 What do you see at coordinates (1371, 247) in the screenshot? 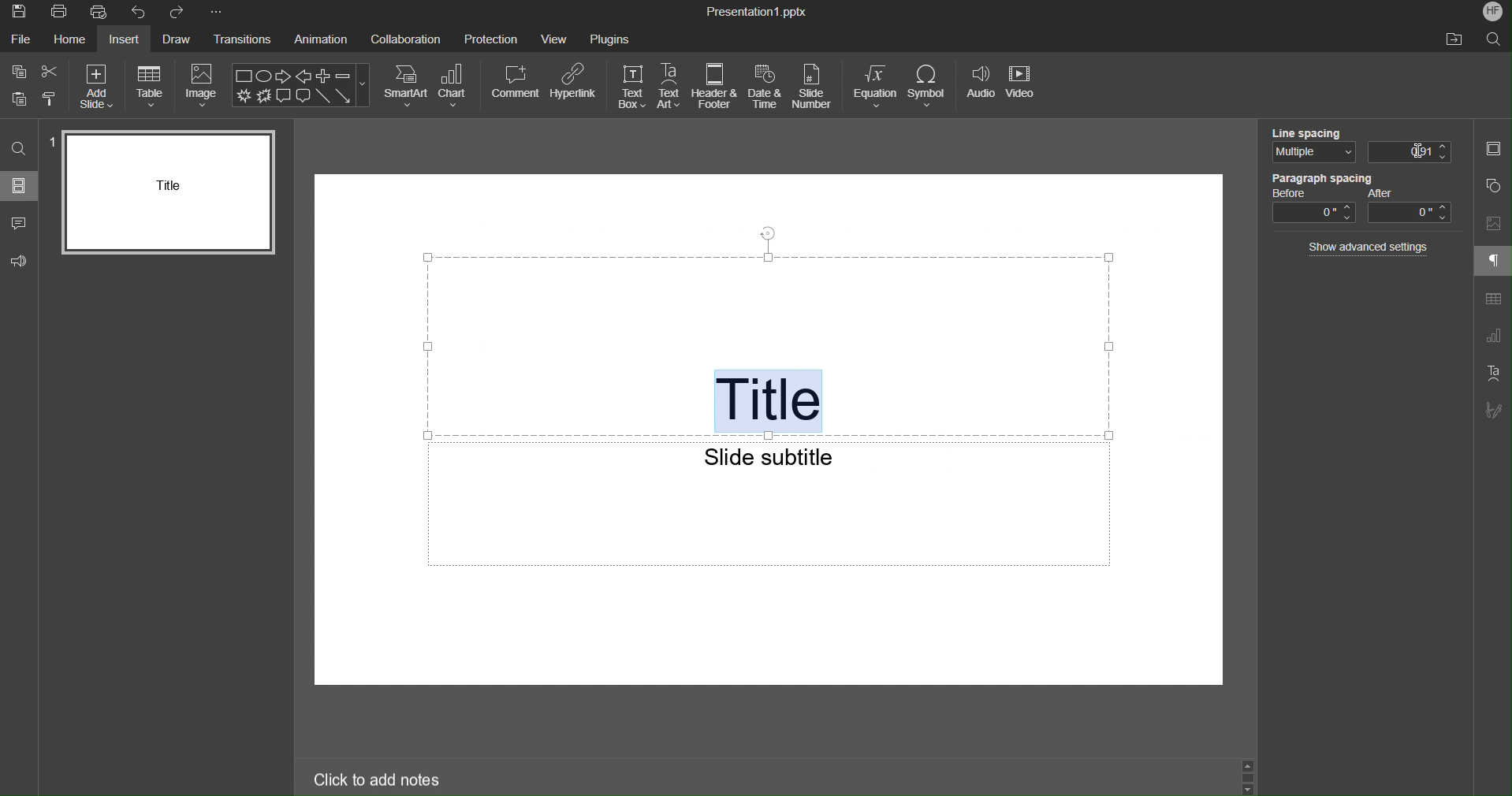
I see `Show advanced settings` at bounding box center [1371, 247].